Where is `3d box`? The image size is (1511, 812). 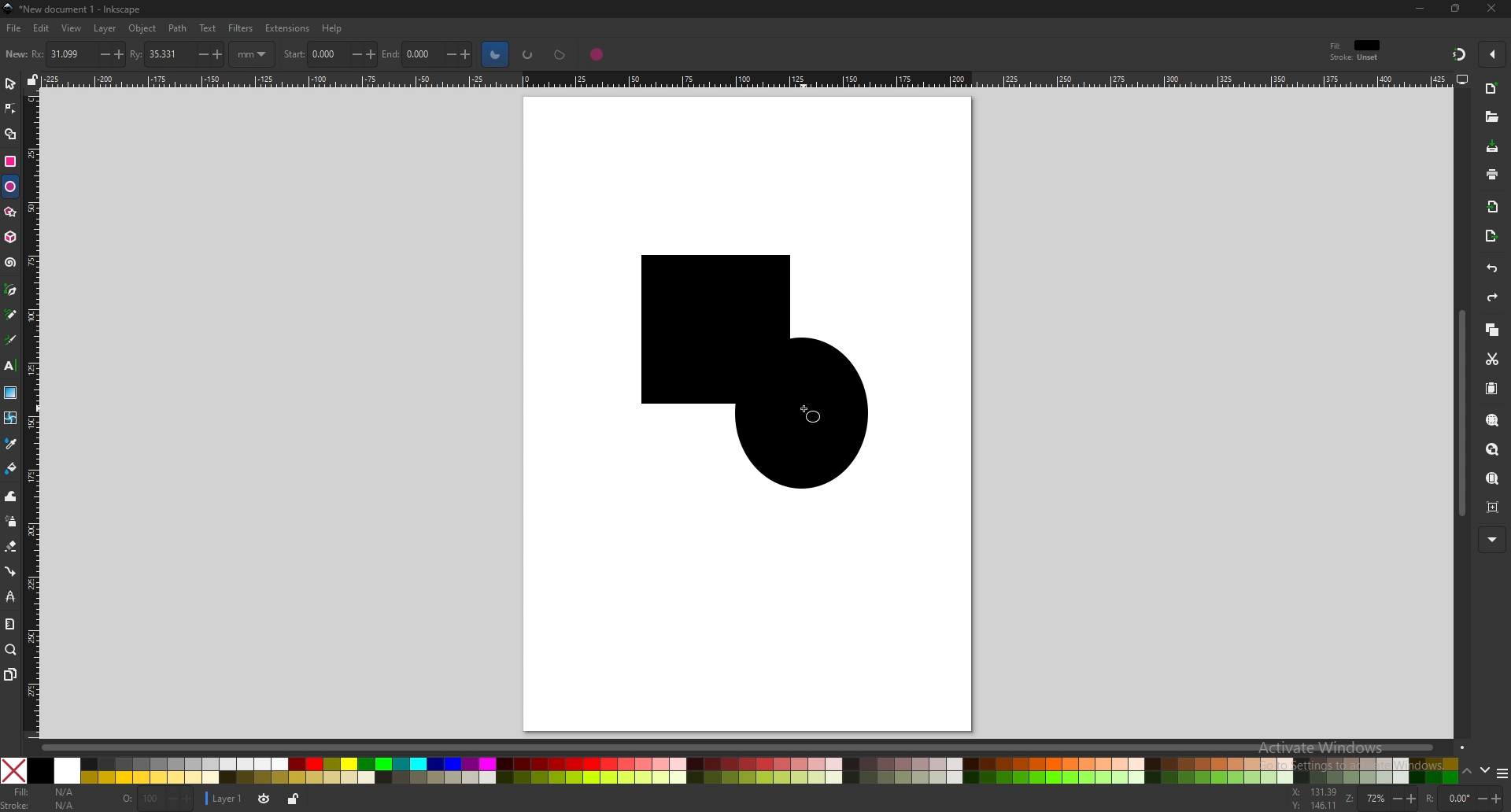
3d box is located at coordinates (10, 237).